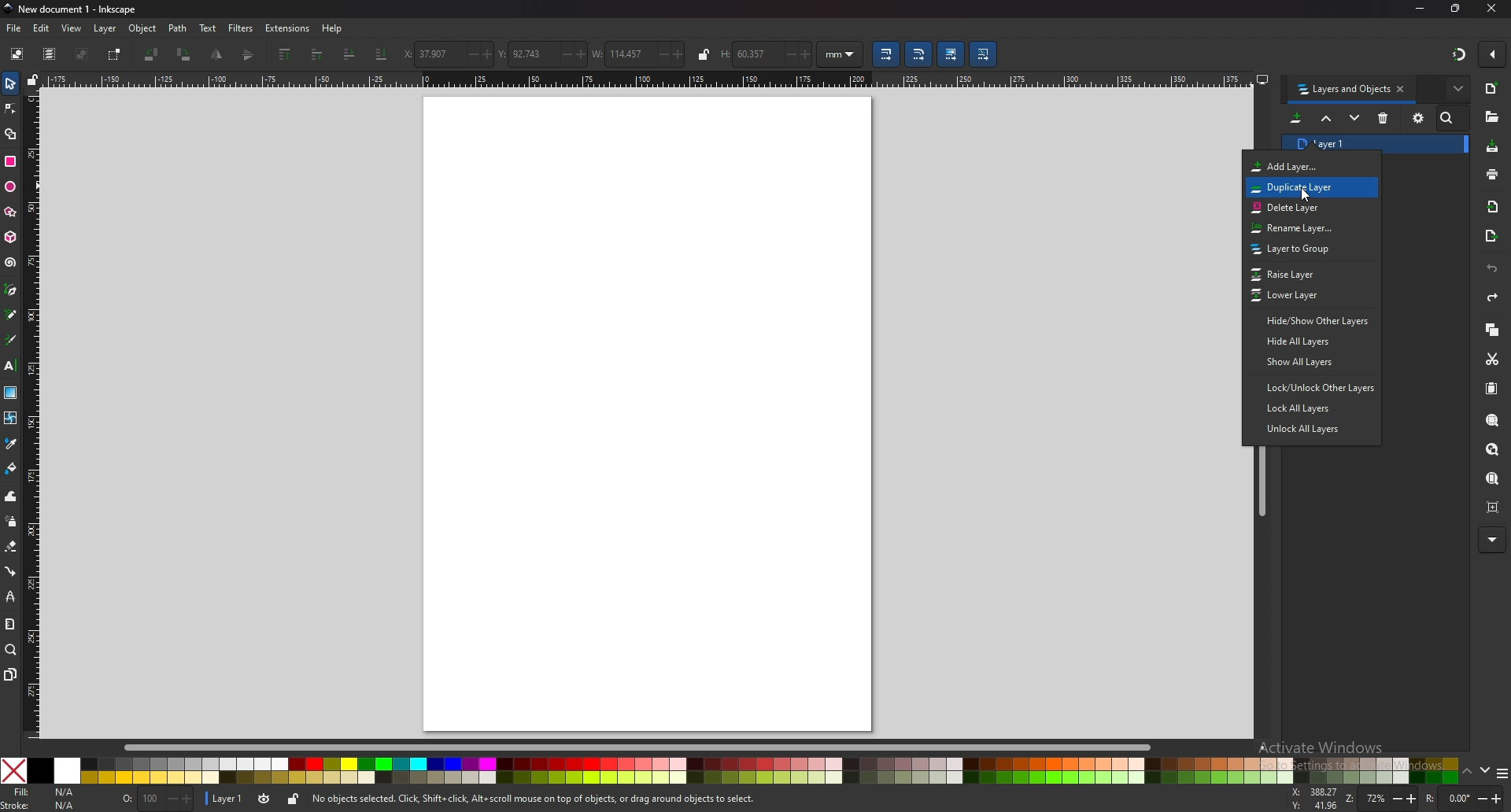 This screenshot has height=812, width=1511. I want to click on enable snapping, so click(1493, 54).